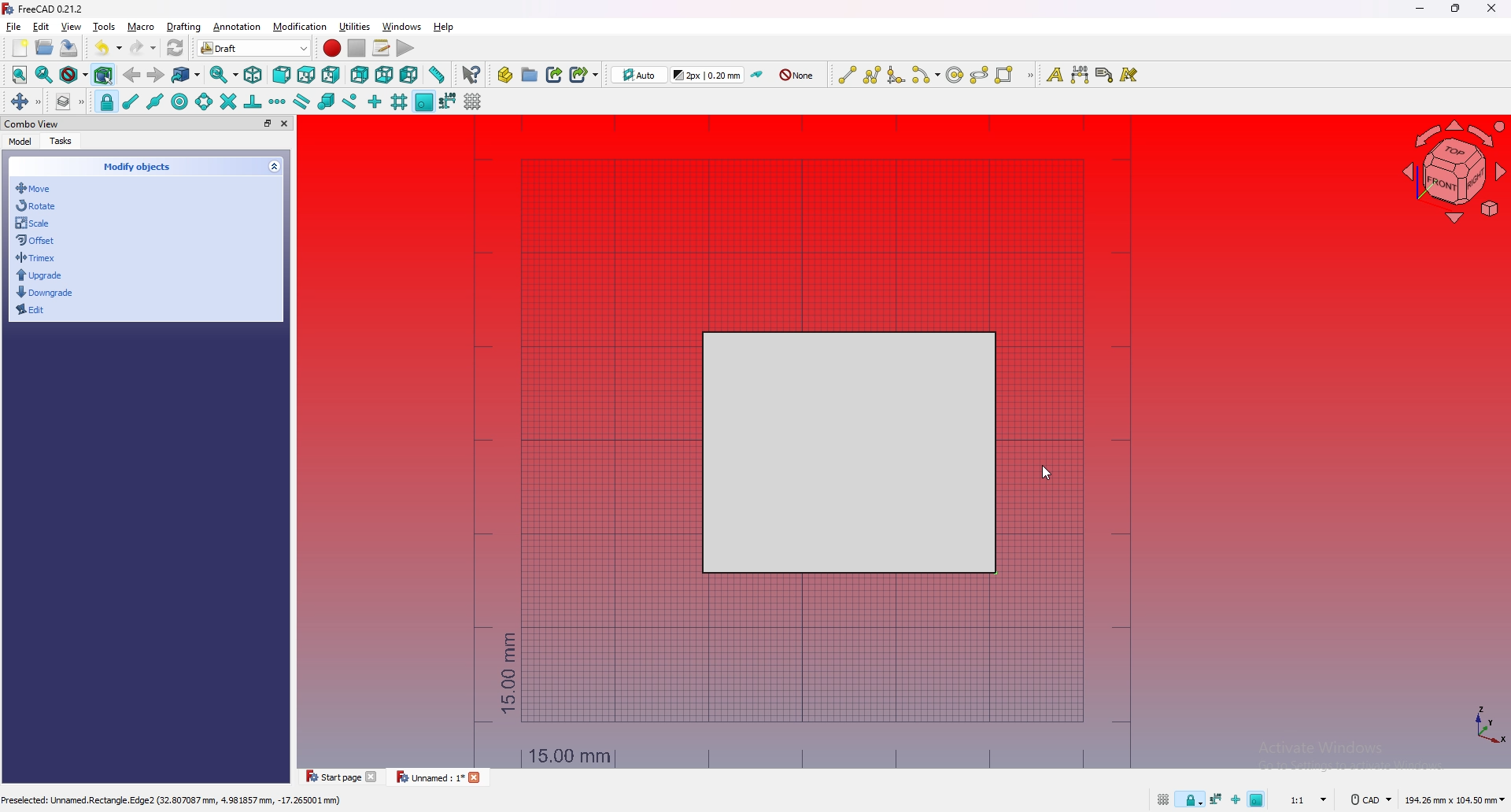 The image size is (1511, 812). I want to click on manage layers, so click(69, 101).